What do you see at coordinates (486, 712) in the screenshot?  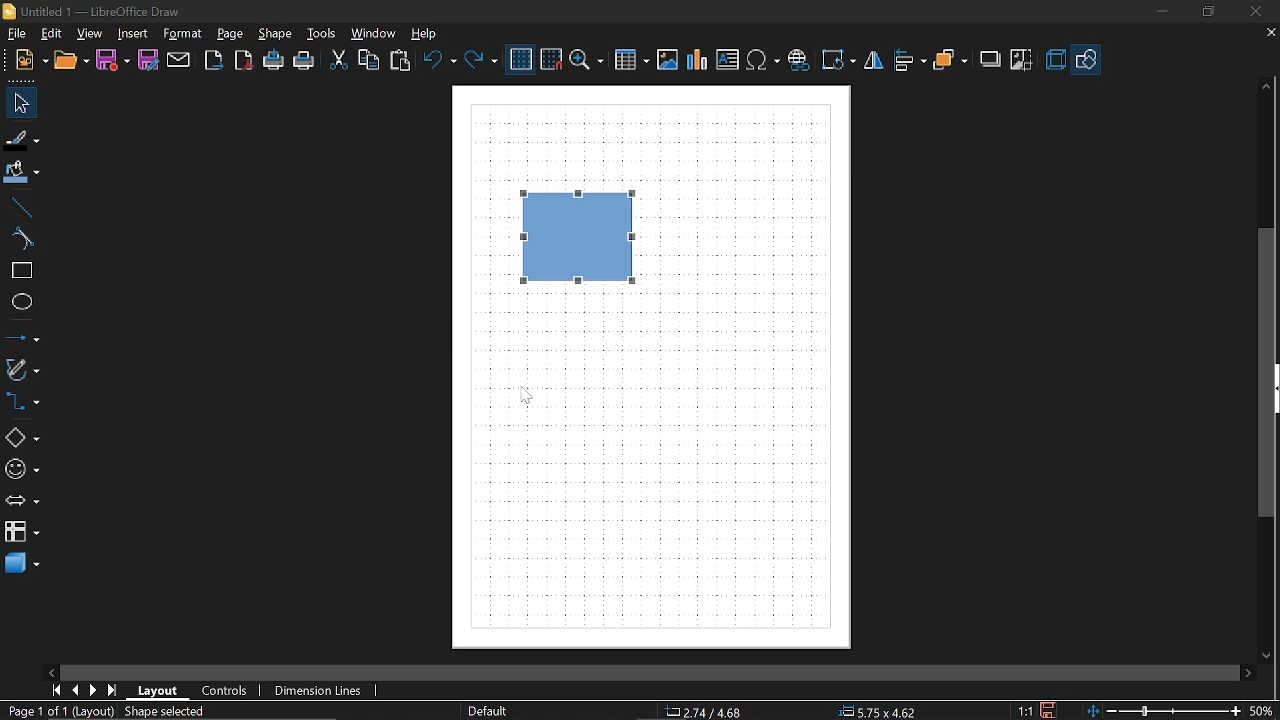 I see `Page style` at bounding box center [486, 712].